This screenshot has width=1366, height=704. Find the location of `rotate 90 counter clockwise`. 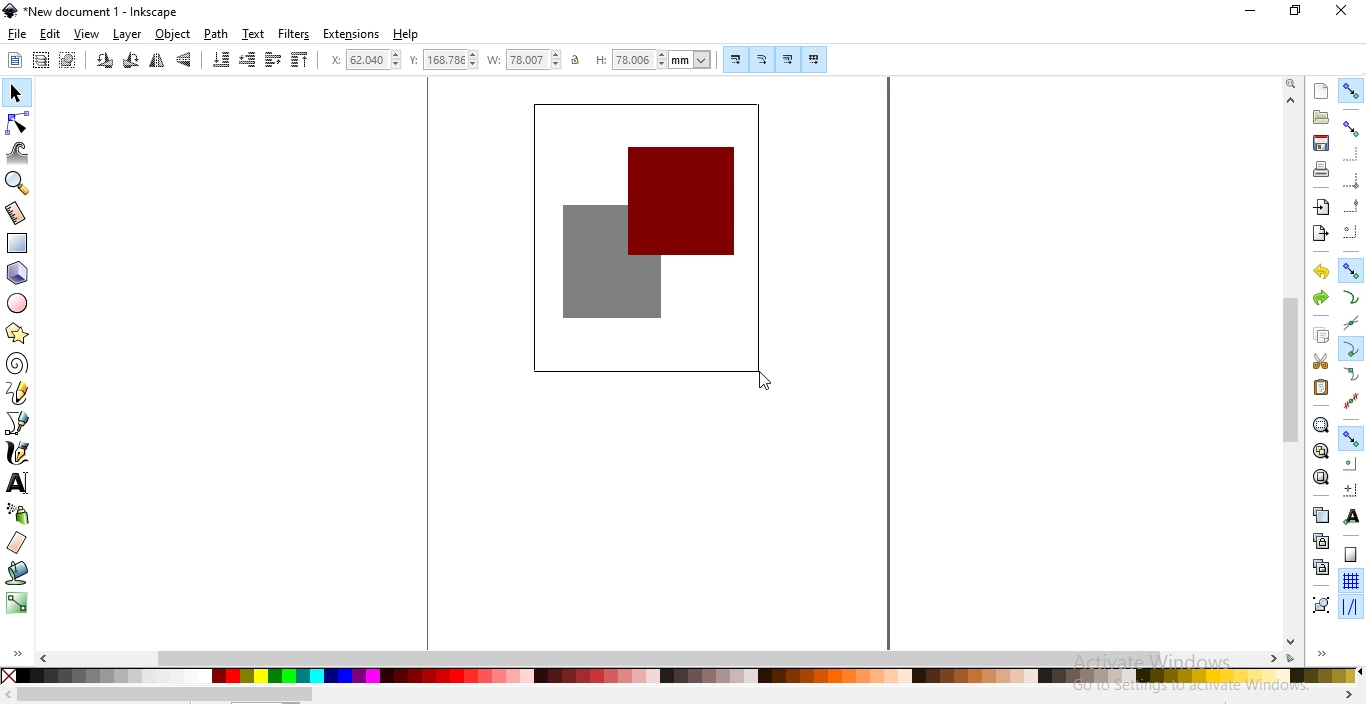

rotate 90 counter clockwise is located at coordinates (105, 62).